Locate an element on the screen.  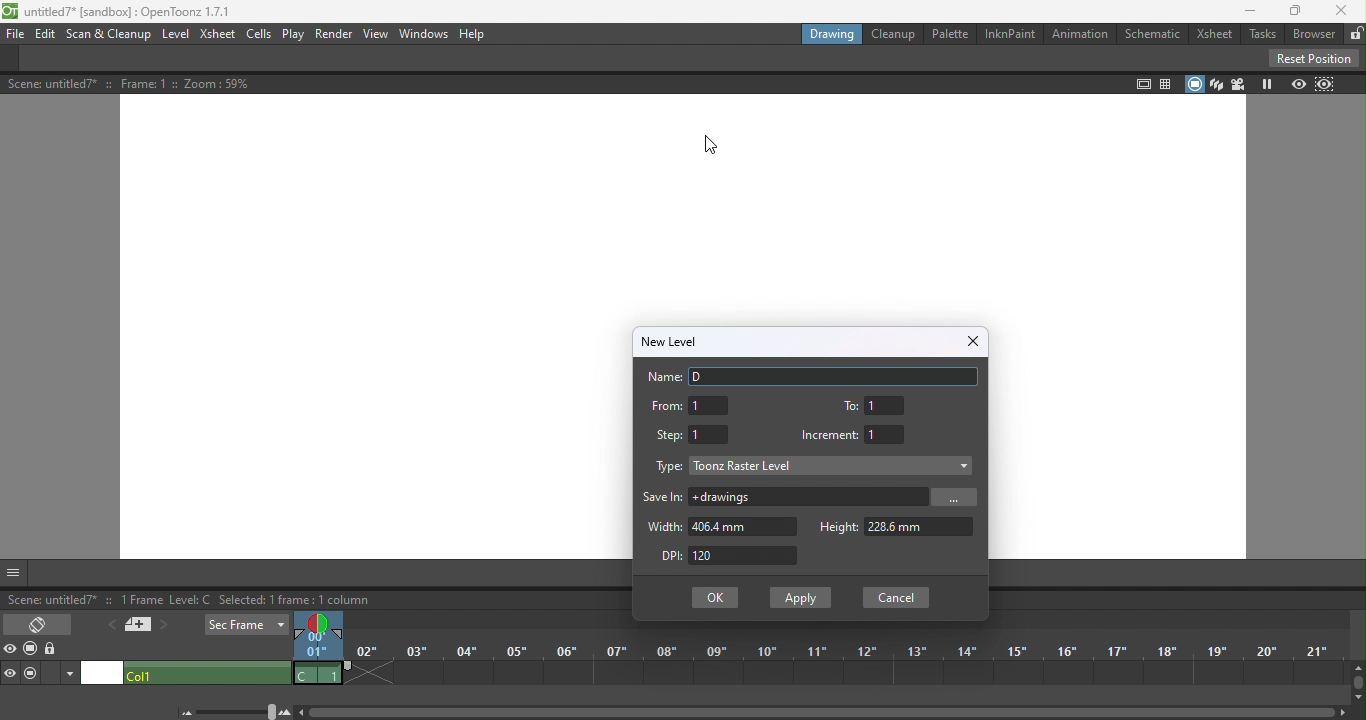
Cursor is located at coordinates (702, 138).